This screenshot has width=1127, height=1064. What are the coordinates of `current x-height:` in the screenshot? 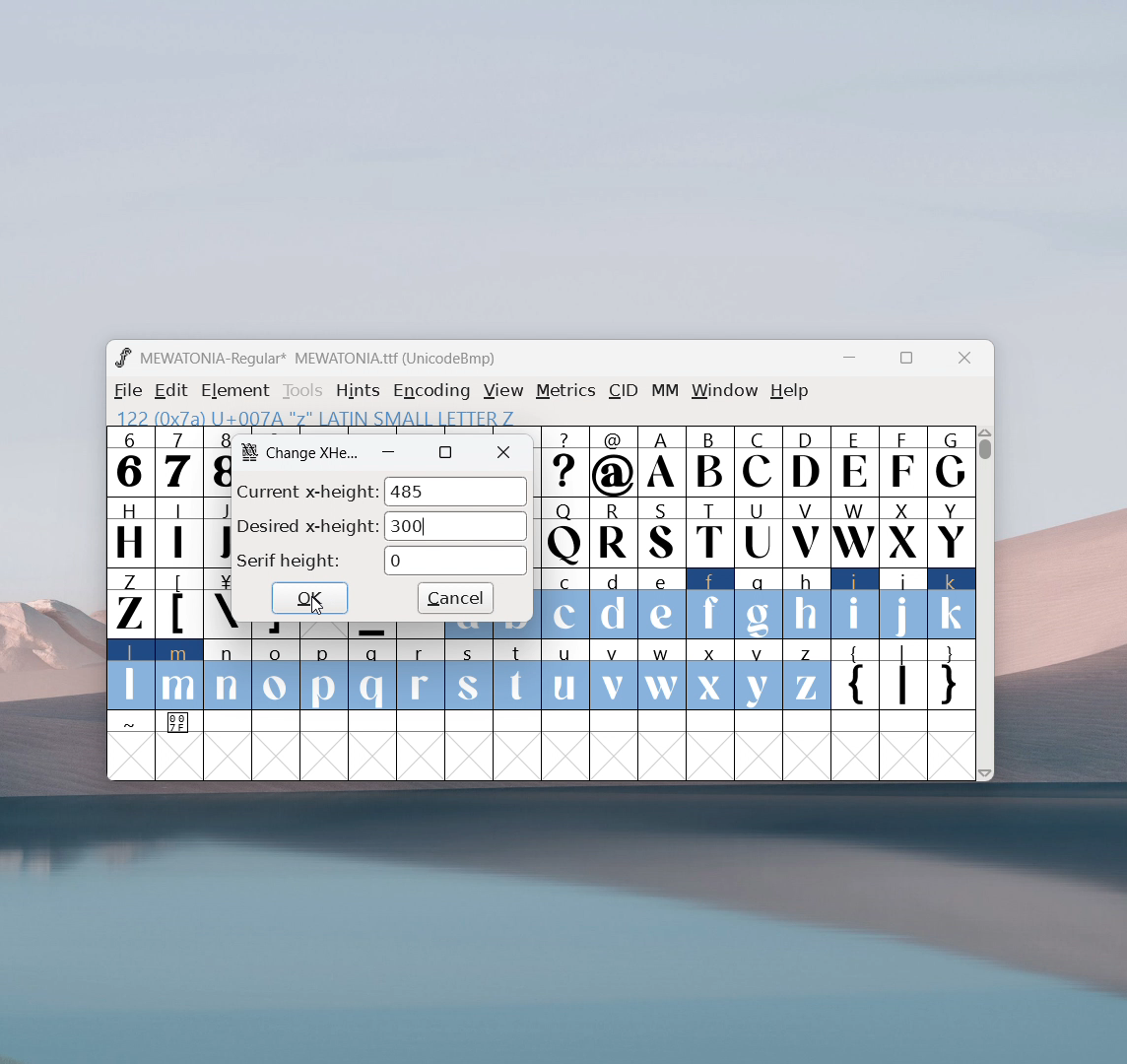 It's located at (306, 490).